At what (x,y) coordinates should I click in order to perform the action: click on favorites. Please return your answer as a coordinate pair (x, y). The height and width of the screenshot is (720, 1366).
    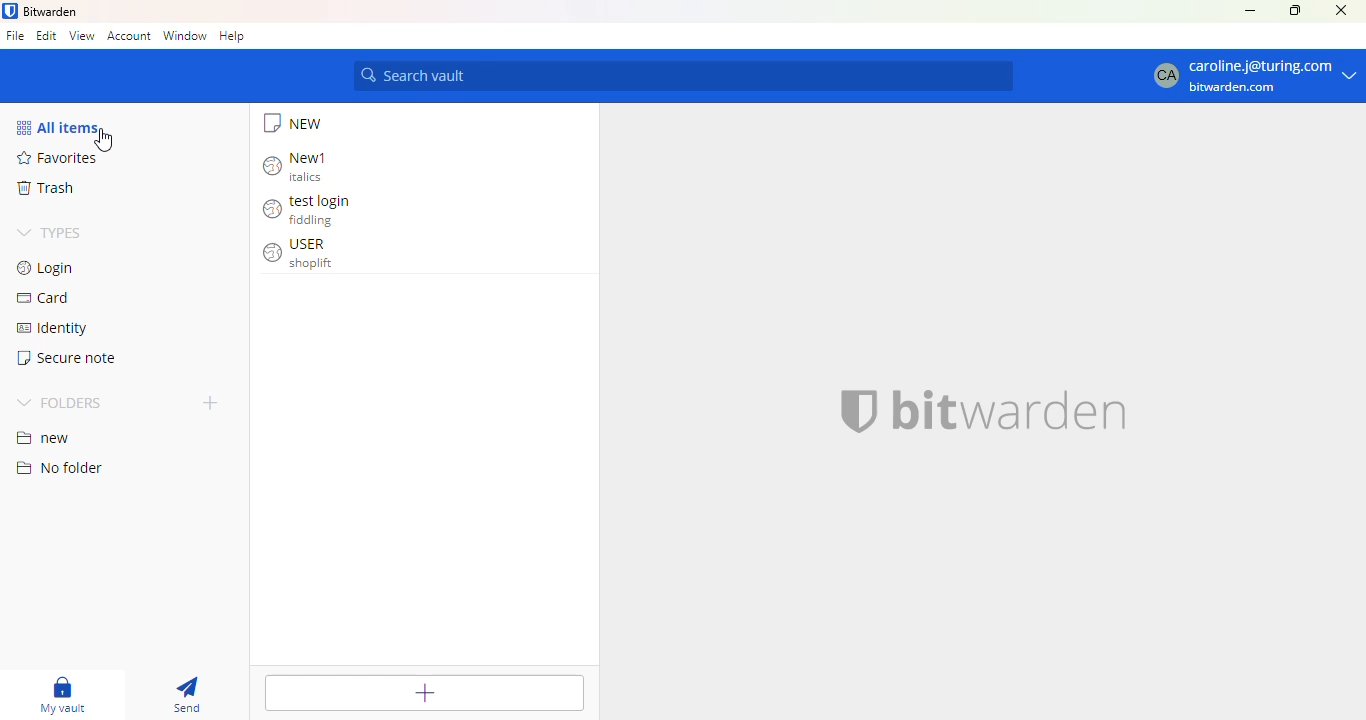
    Looking at the image, I should click on (56, 157).